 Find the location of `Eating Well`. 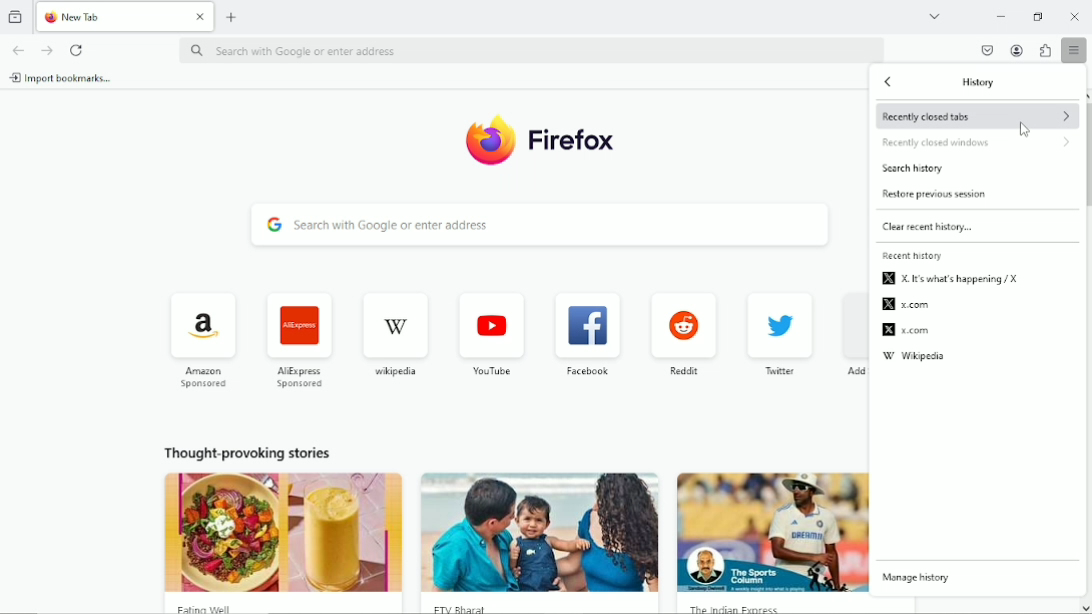

Eating Well is located at coordinates (284, 605).